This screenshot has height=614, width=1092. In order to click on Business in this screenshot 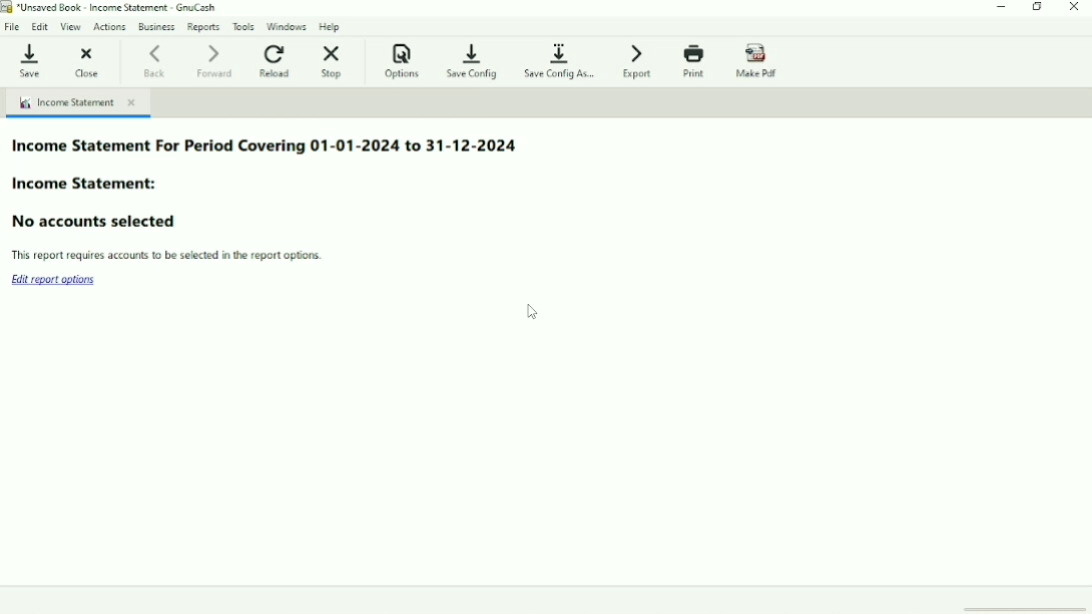, I will do `click(156, 26)`.